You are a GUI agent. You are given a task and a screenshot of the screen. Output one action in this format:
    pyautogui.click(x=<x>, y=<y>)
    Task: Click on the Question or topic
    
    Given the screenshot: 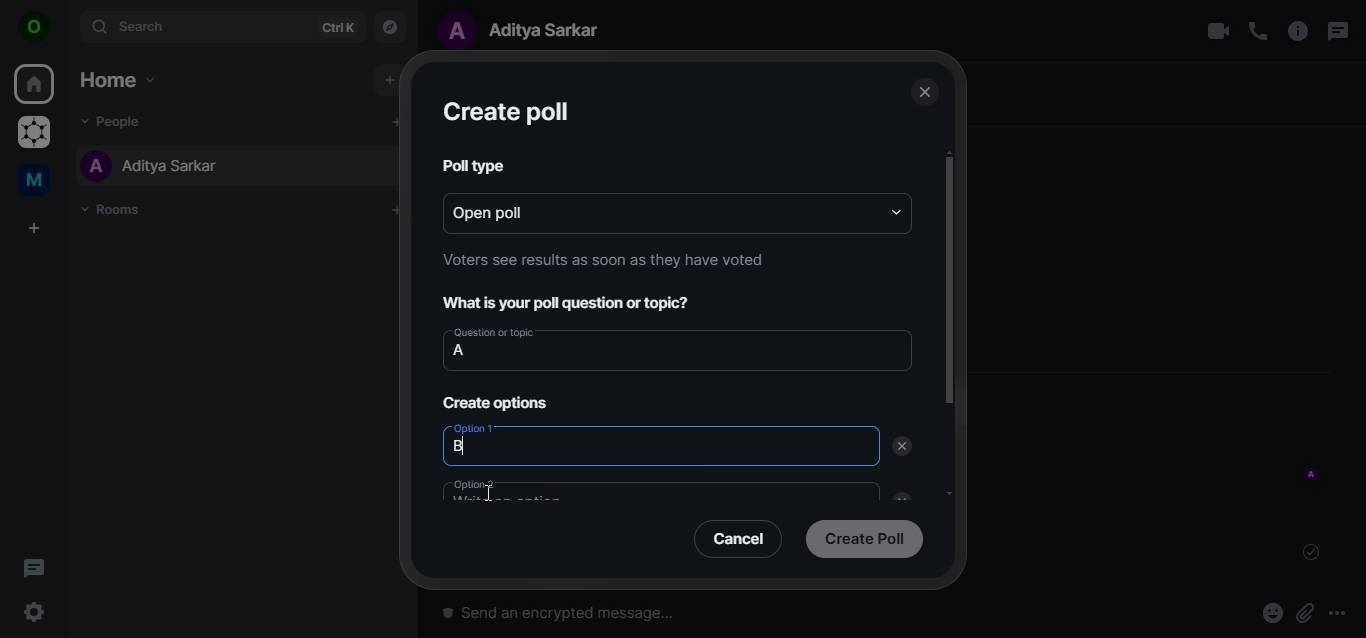 What is the action you would take?
    pyautogui.click(x=493, y=332)
    